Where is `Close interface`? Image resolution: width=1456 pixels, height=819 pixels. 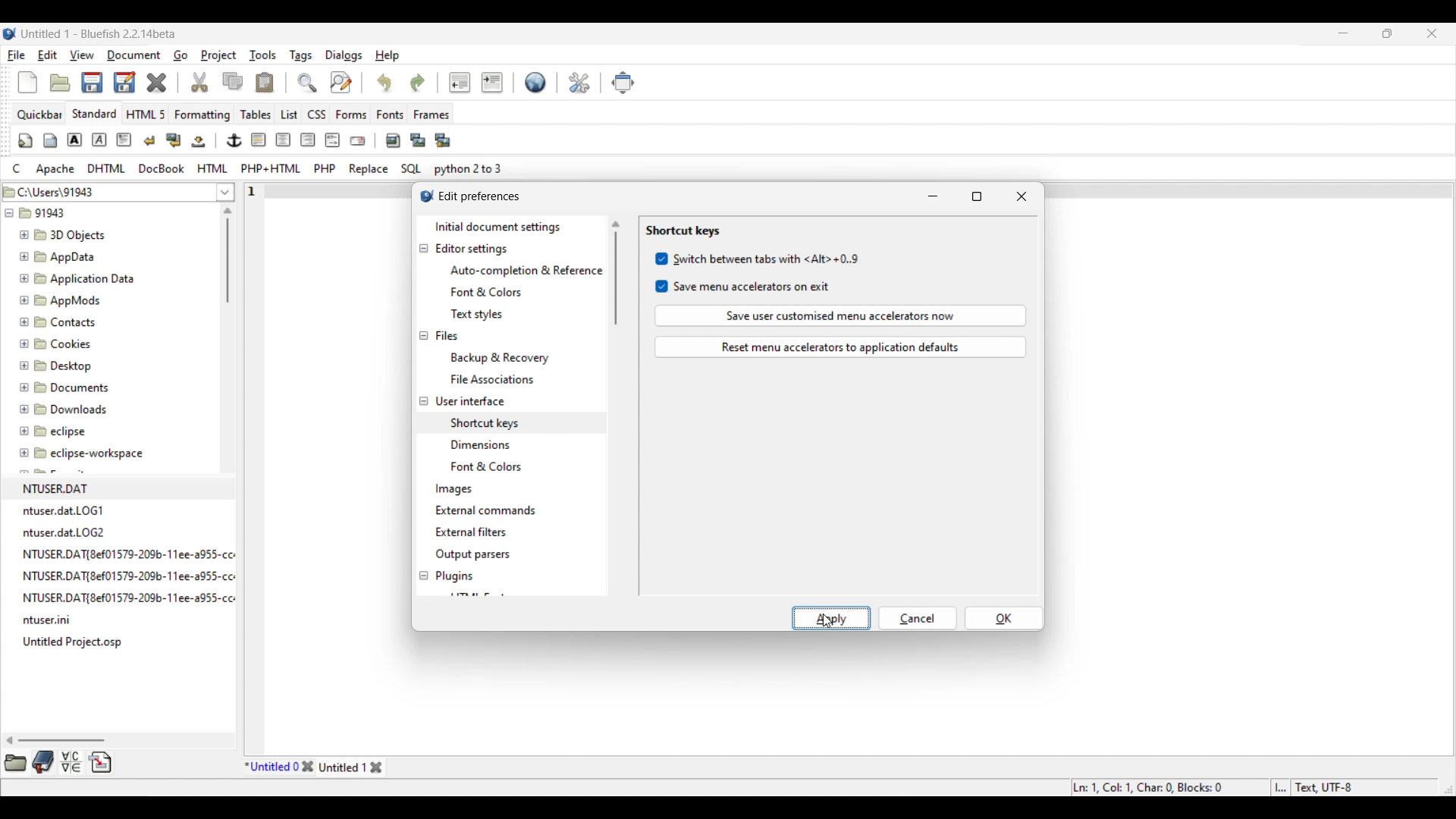
Close interface is located at coordinates (1432, 33).